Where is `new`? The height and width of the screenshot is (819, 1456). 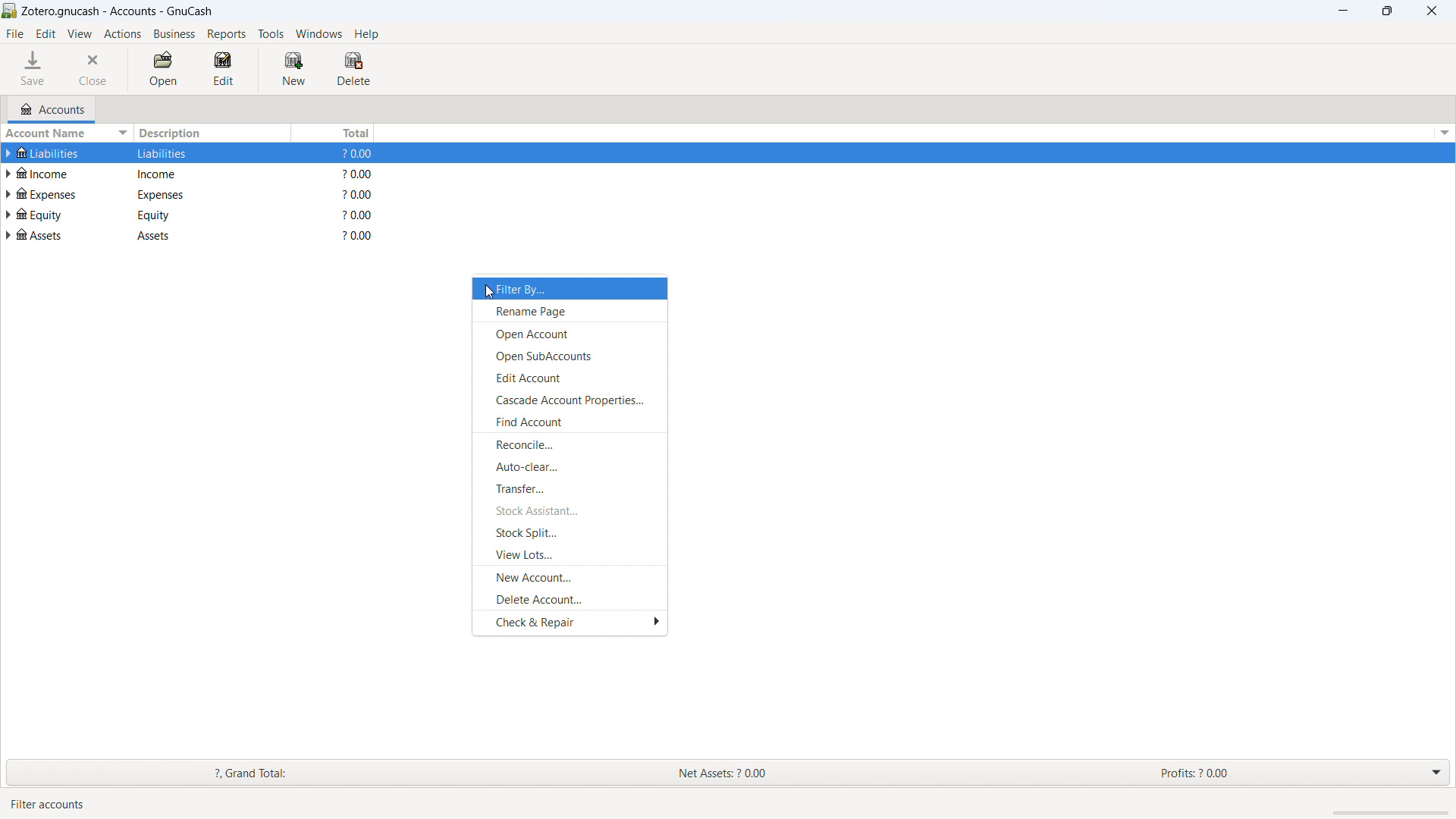
new is located at coordinates (293, 68).